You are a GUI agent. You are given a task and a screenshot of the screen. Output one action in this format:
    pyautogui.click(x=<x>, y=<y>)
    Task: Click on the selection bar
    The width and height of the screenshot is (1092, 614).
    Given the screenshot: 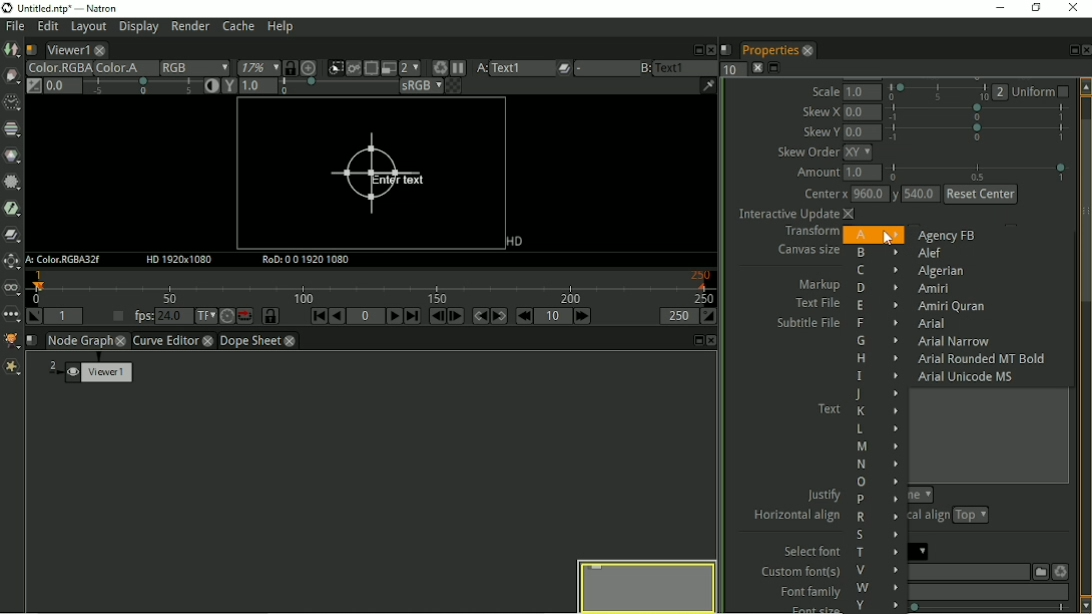 What is the action you would take?
    pyautogui.click(x=336, y=87)
    